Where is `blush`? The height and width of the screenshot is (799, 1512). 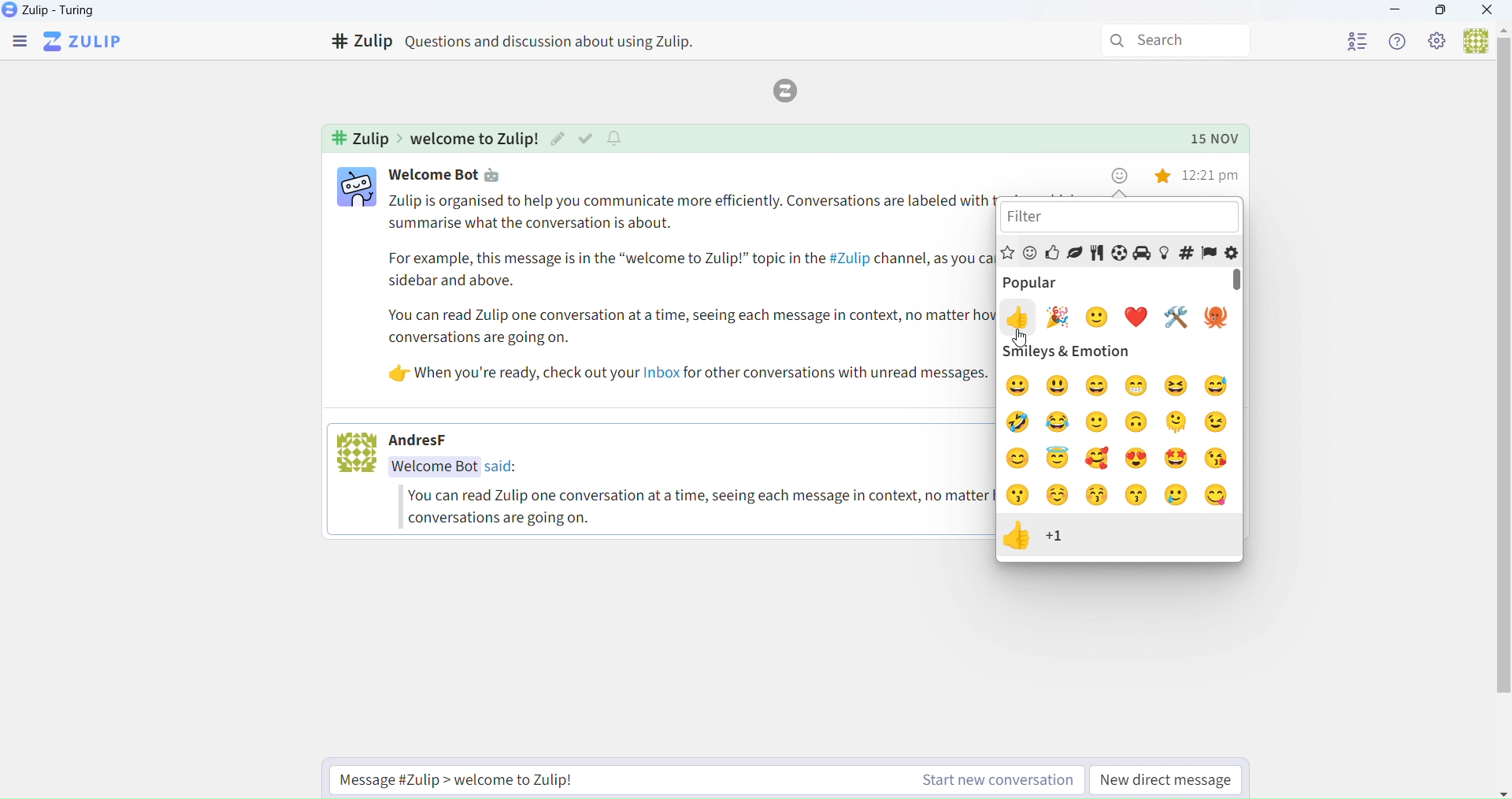 blush is located at coordinates (1060, 495).